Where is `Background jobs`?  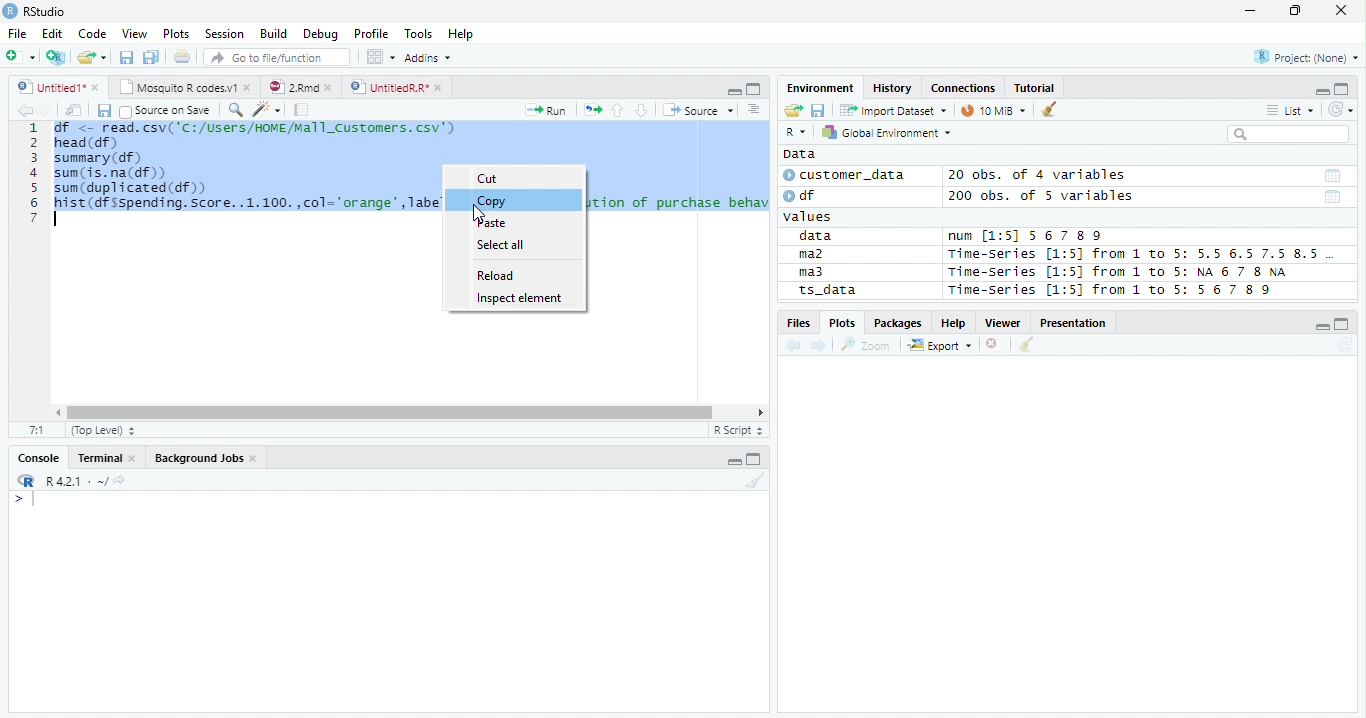 Background jobs is located at coordinates (206, 460).